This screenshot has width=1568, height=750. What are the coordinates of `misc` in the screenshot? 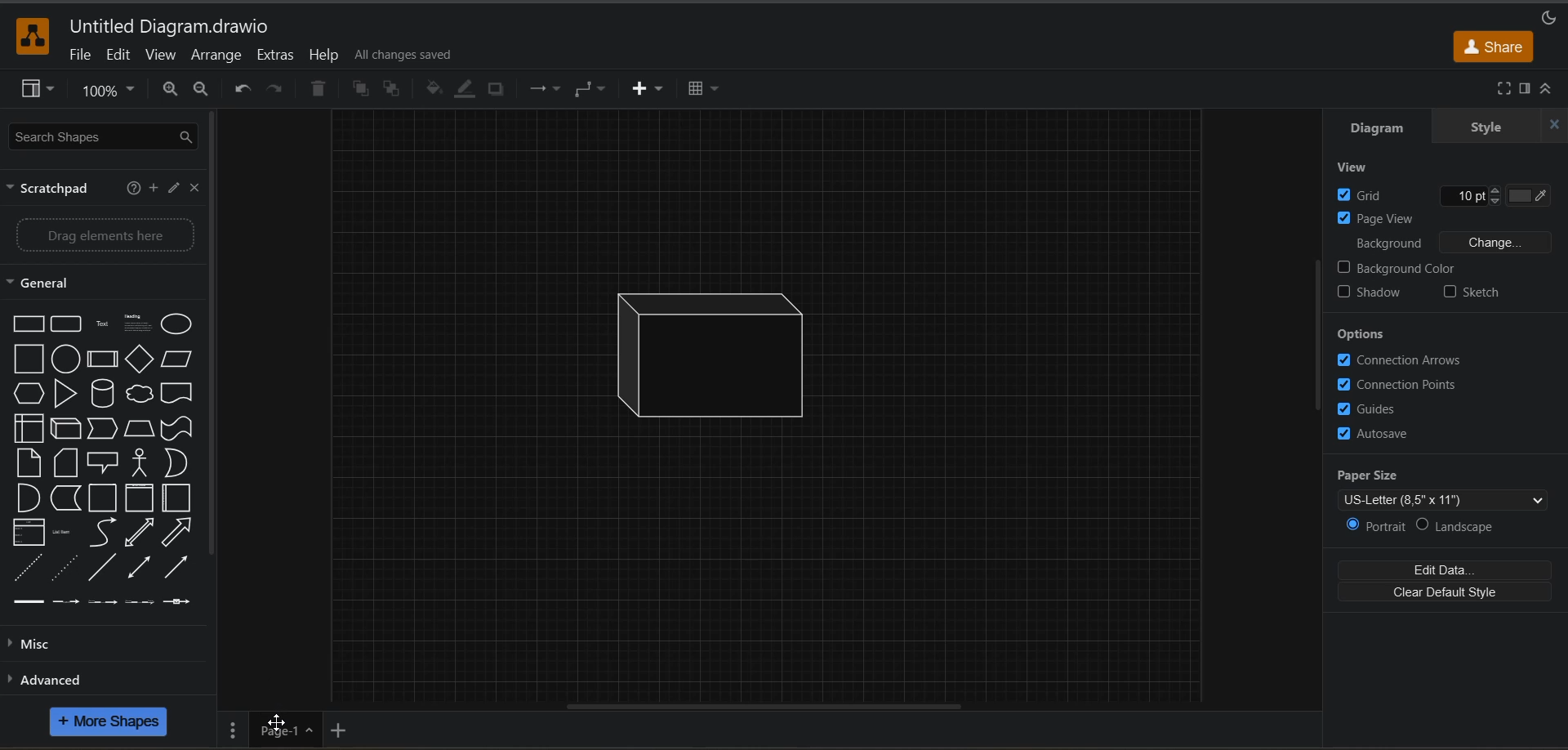 It's located at (46, 644).